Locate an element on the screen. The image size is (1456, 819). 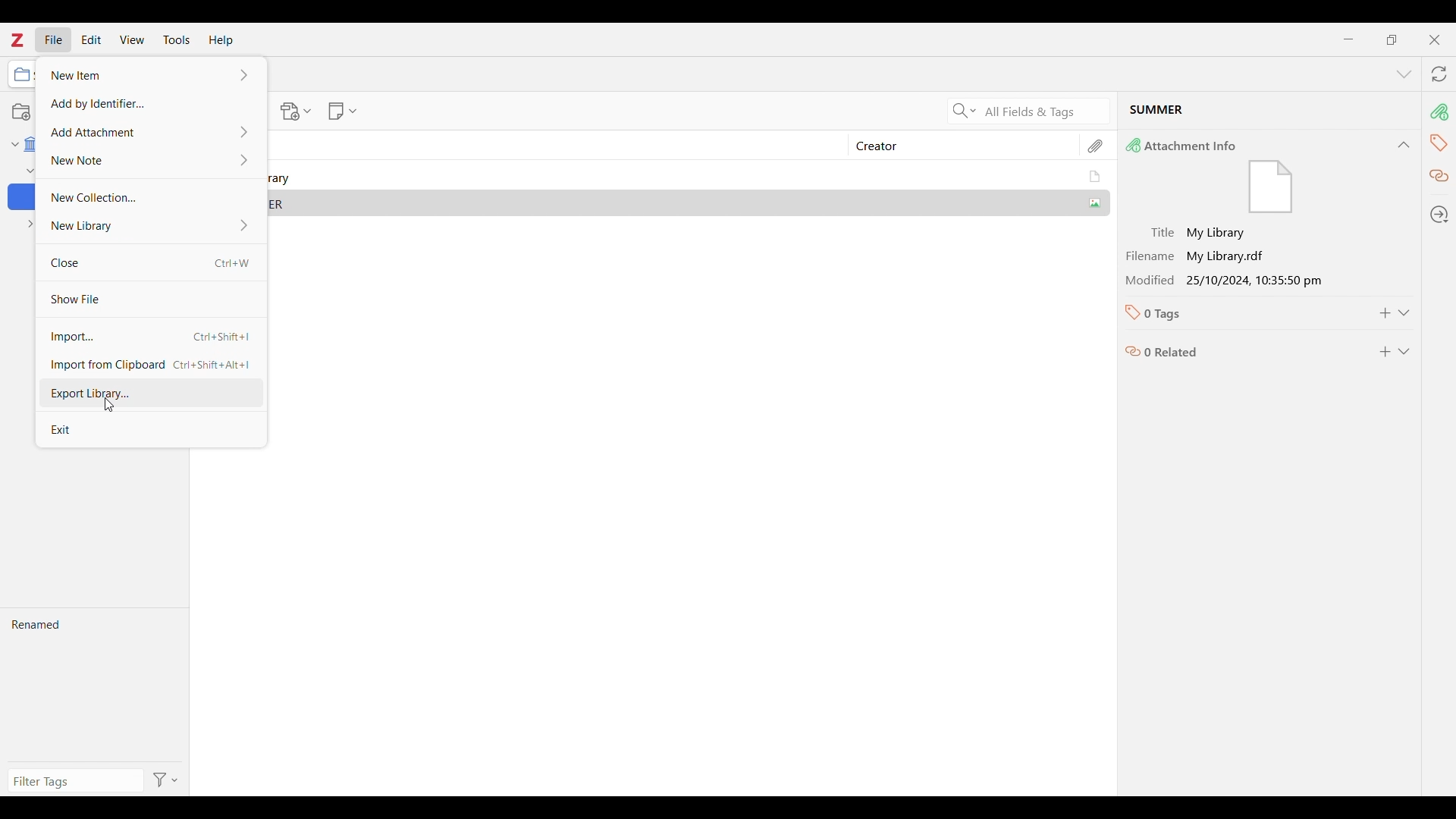
Related is located at coordinates (1439, 177).